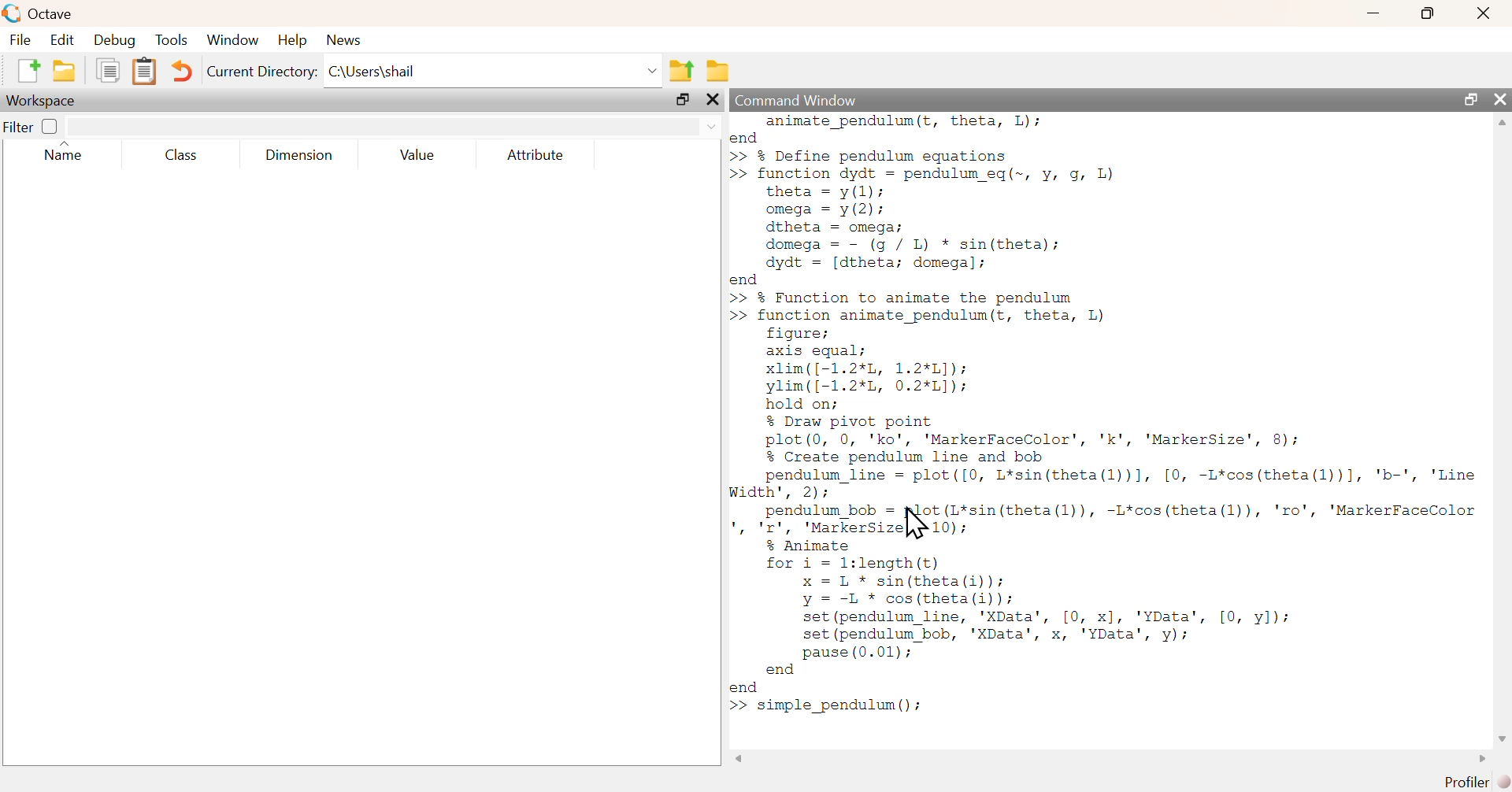 This screenshot has width=1512, height=792. What do you see at coordinates (1500, 123) in the screenshot?
I see `Scroll up` at bounding box center [1500, 123].